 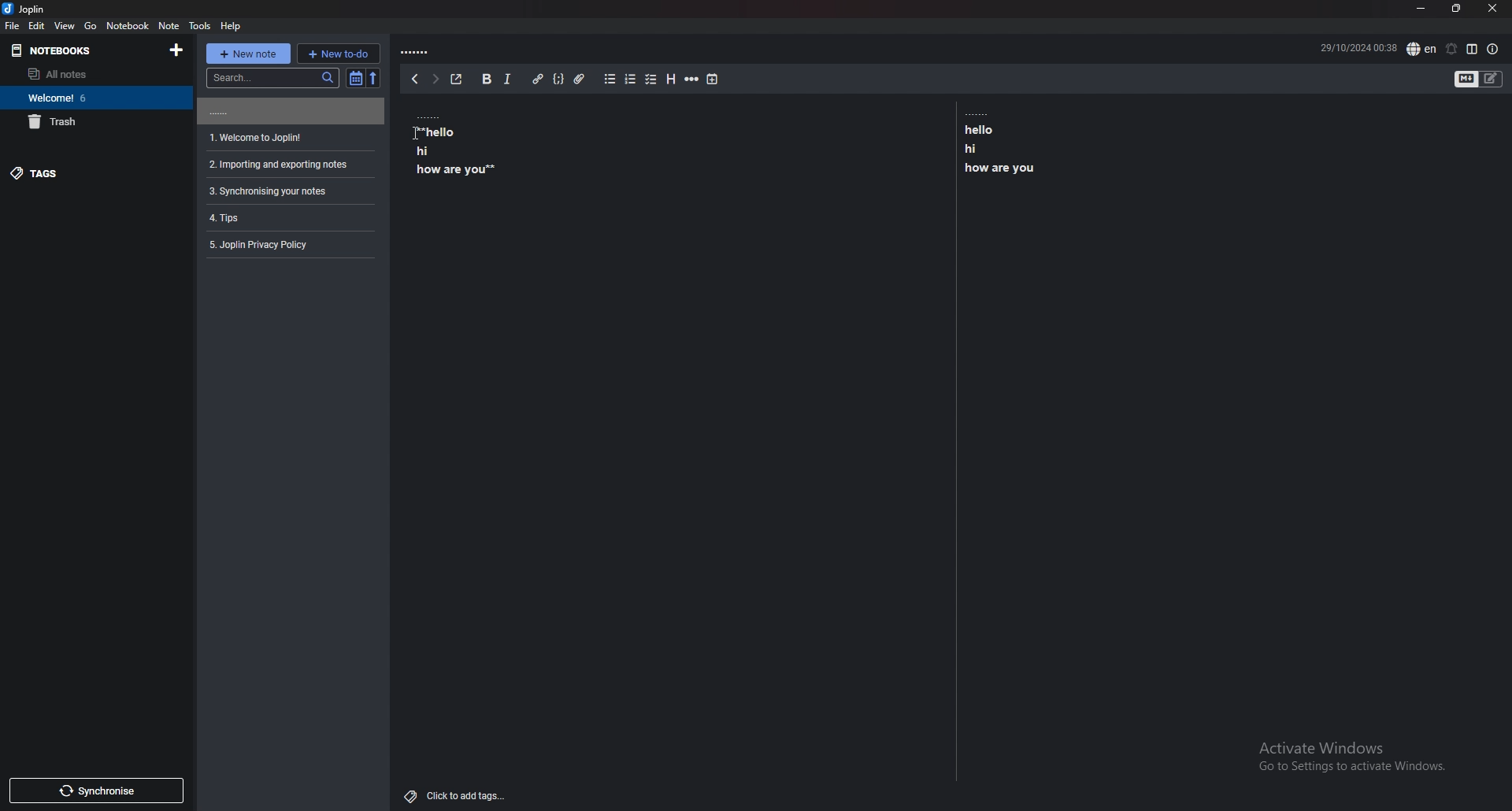 I want to click on notebook, so click(x=129, y=25).